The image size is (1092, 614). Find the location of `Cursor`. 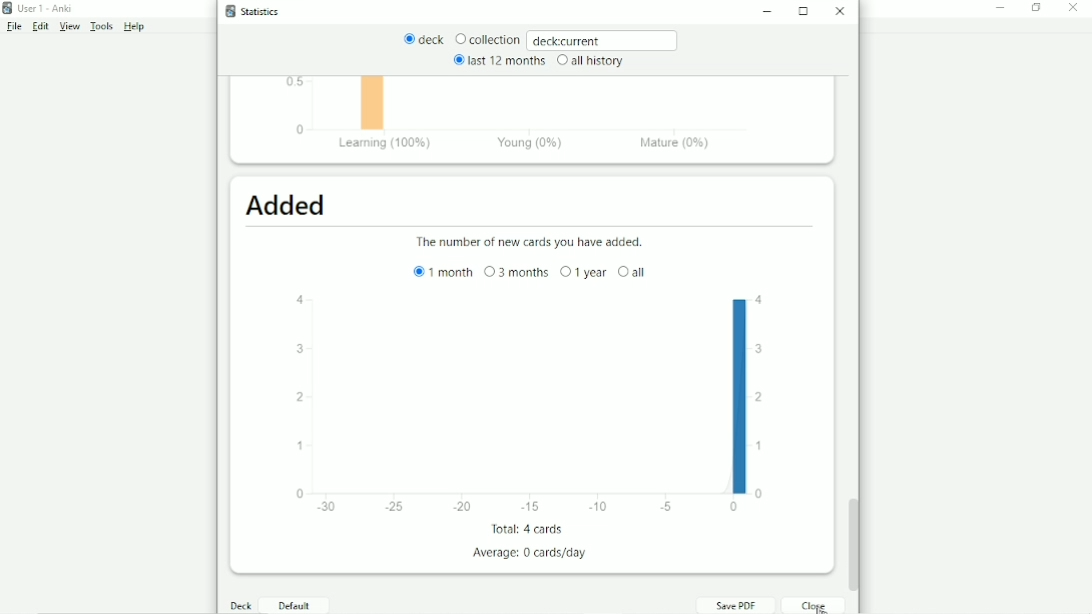

Cursor is located at coordinates (825, 610).